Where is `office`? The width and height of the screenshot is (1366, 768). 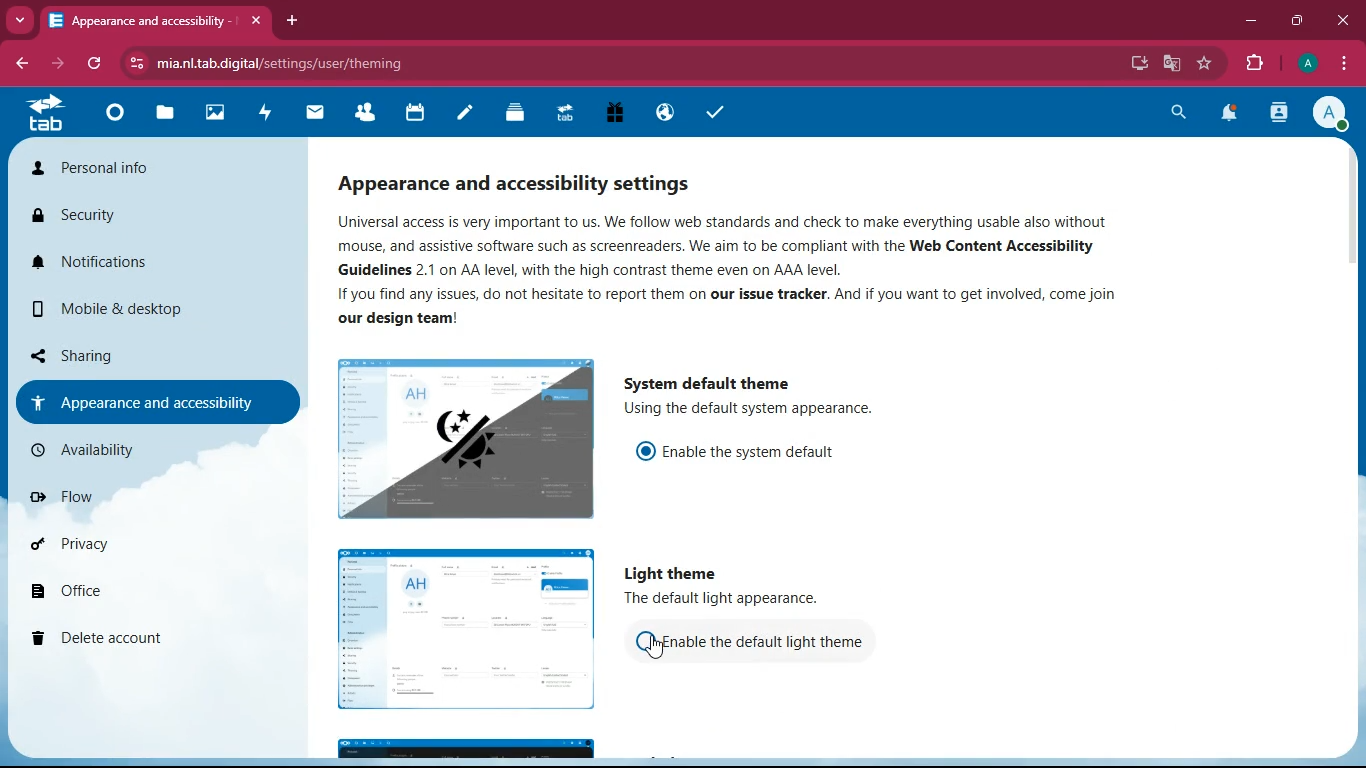 office is located at coordinates (145, 591).